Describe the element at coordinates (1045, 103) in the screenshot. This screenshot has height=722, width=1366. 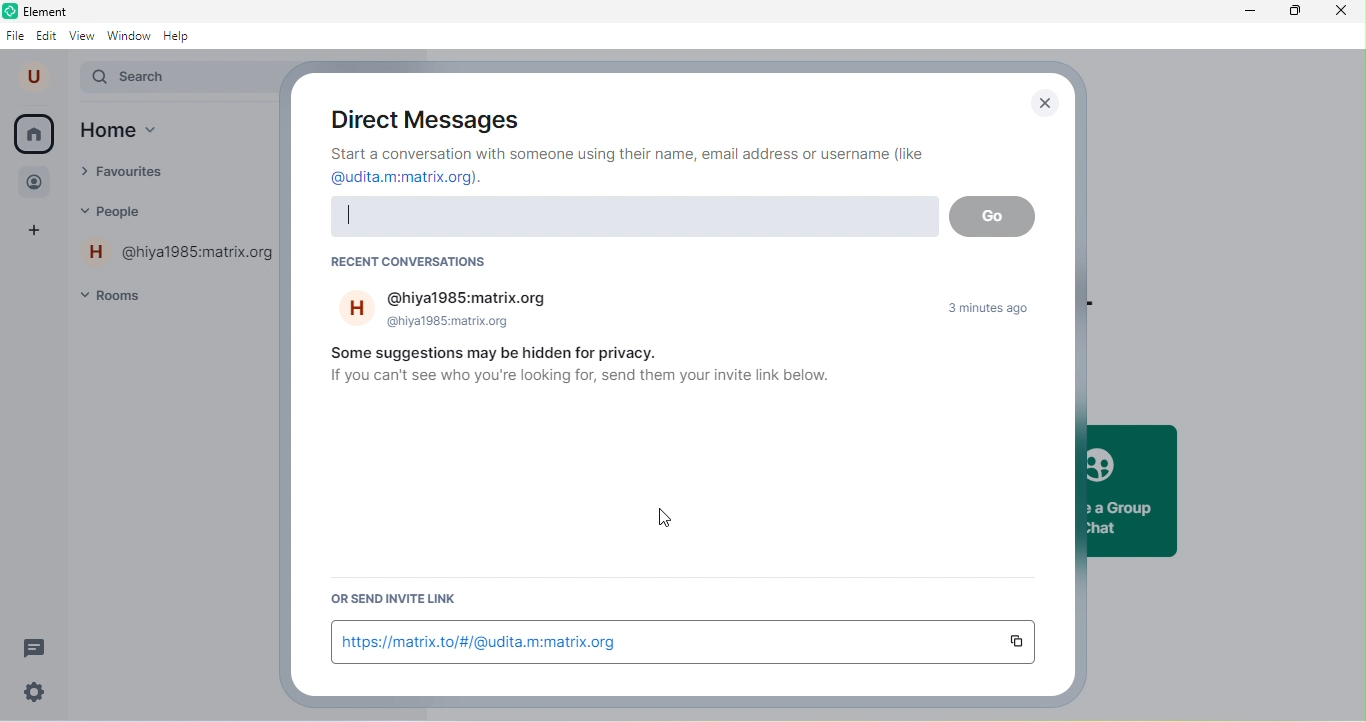
I see `close` at that location.